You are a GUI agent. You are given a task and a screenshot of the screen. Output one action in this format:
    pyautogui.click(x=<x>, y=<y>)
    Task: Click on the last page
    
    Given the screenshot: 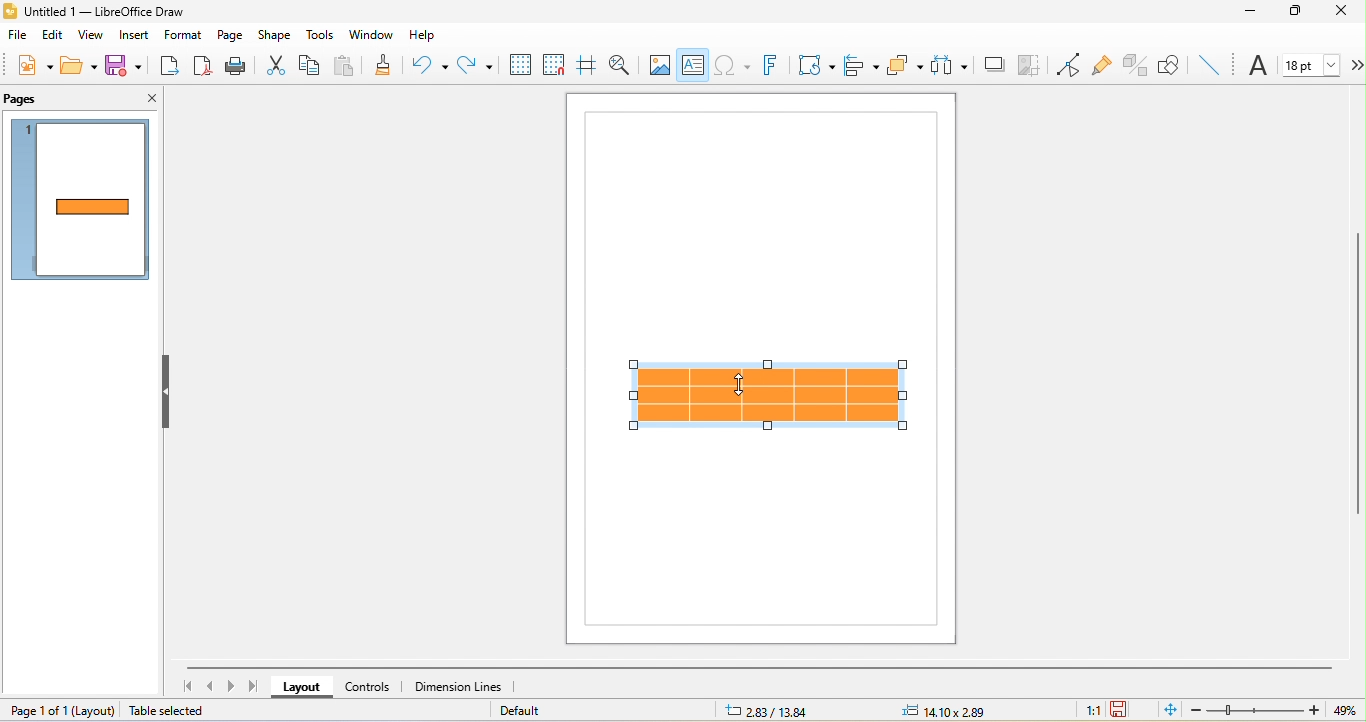 What is the action you would take?
    pyautogui.click(x=258, y=688)
    